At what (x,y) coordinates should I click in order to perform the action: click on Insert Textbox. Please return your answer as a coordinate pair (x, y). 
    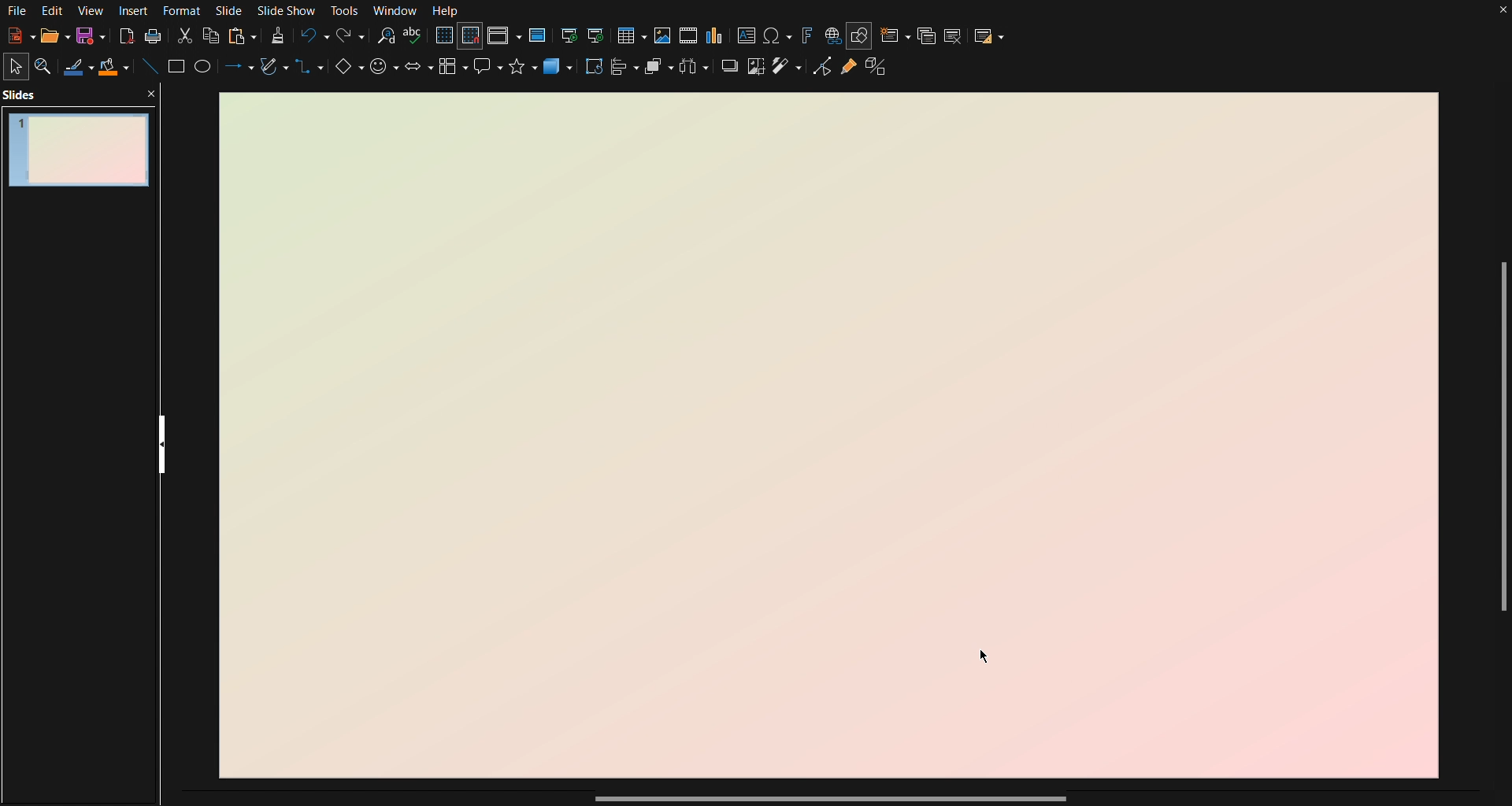
    Looking at the image, I should click on (747, 35).